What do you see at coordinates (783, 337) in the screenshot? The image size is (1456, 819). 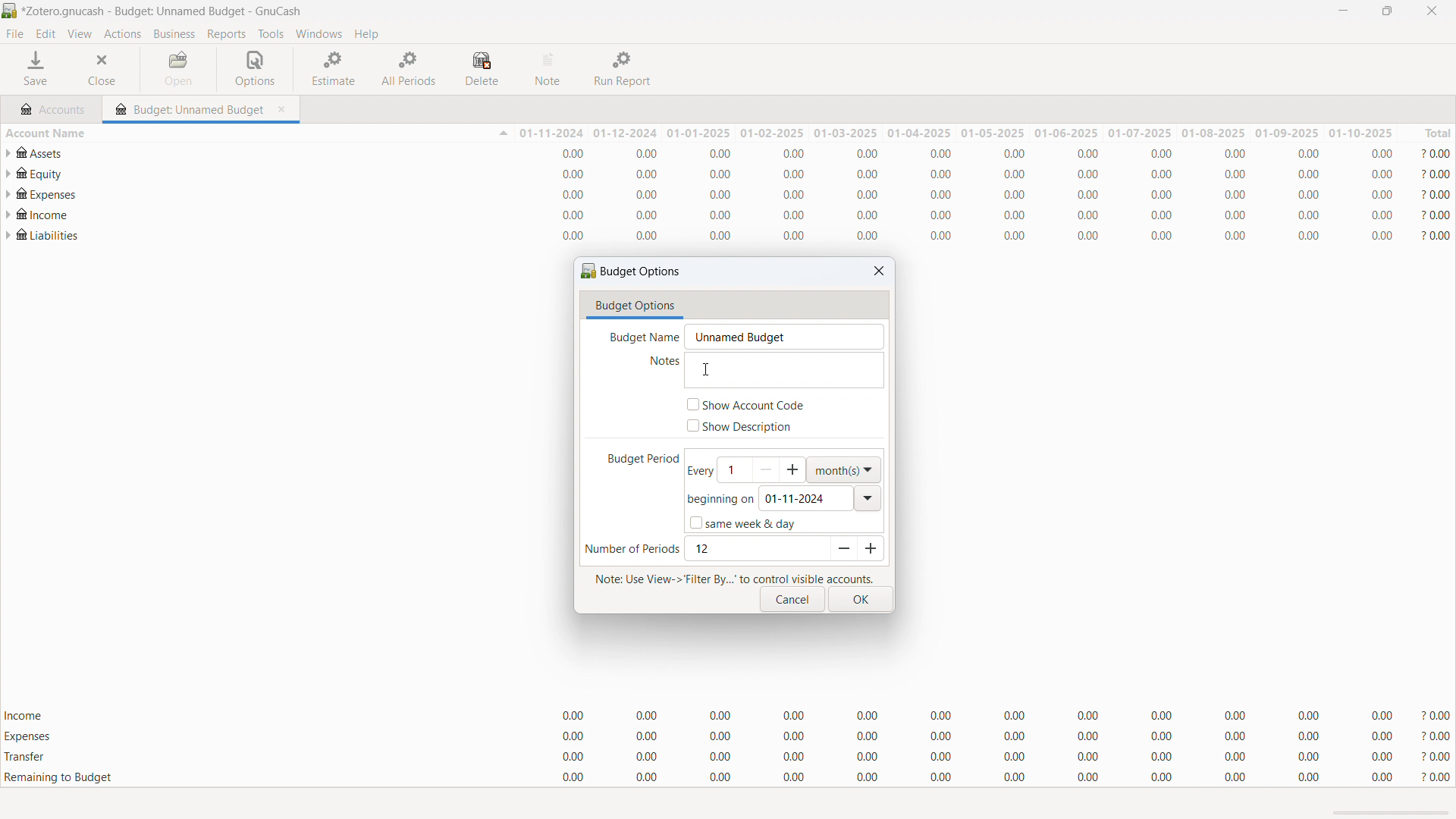 I see `budget name` at bounding box center [783, 337].